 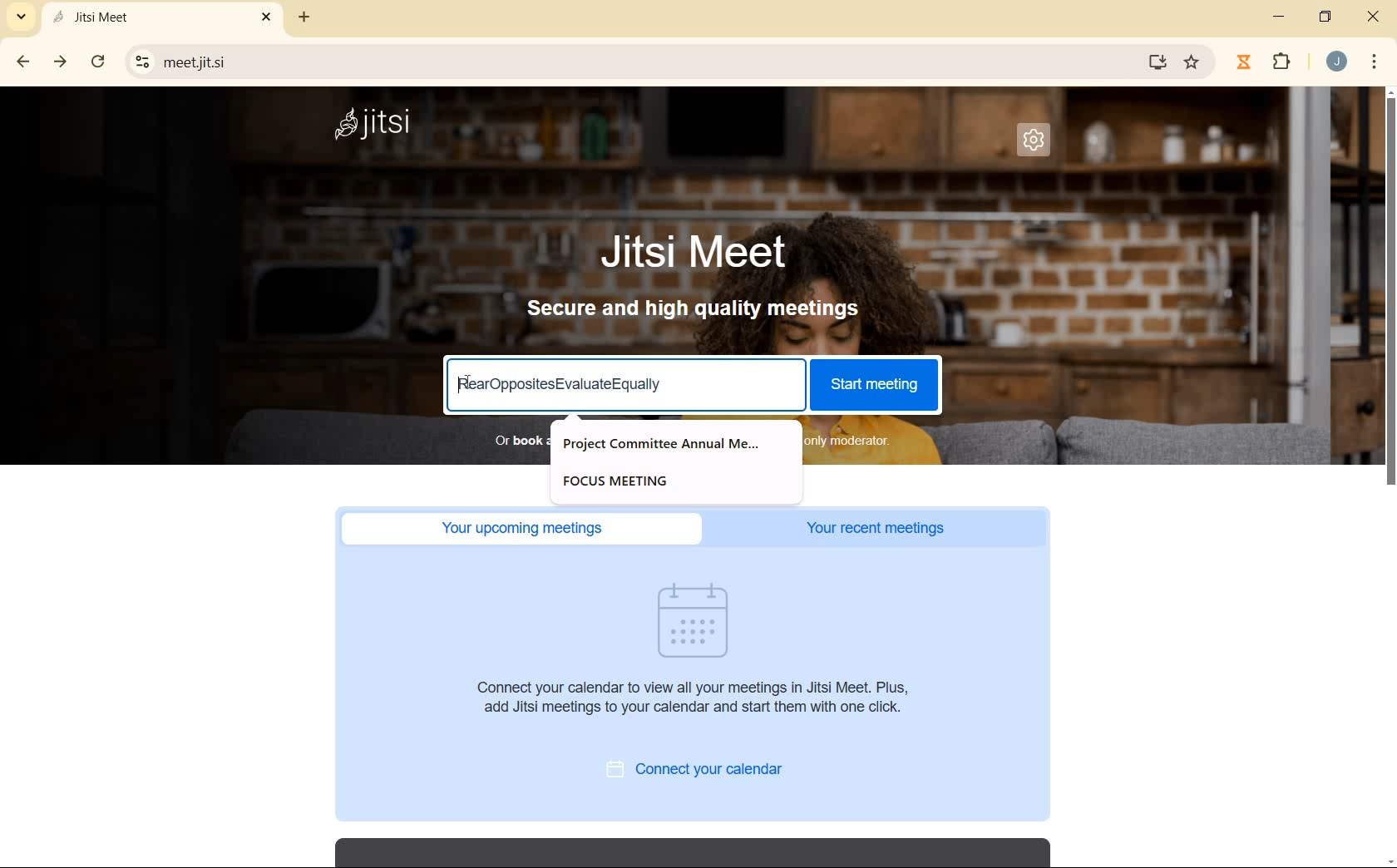 What do you see at coordinates (1246, 62) in the screenshot?
I see `Jibble` at bounding box center [1246, 62].